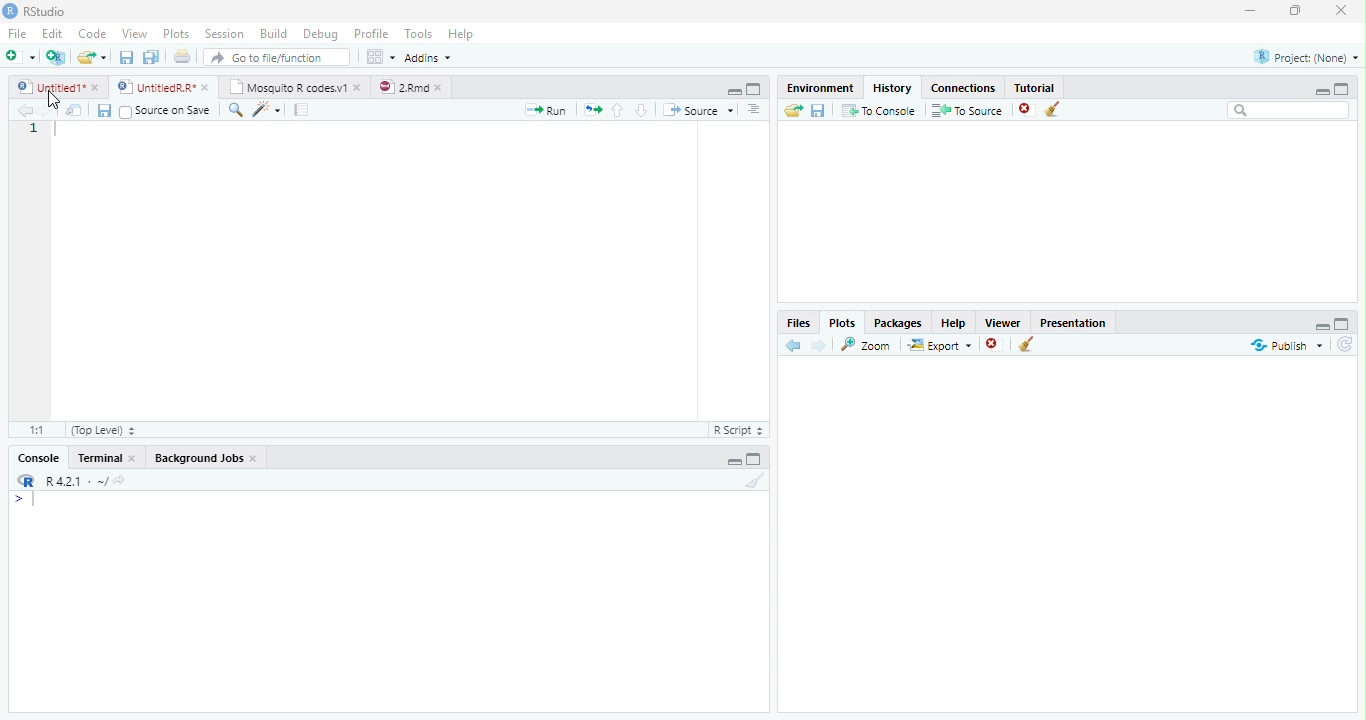 This screenshot has width=1366, height=720. Describe the element at coordinates (820, 345) in the screenshot. I see `Next Plot` at that location.